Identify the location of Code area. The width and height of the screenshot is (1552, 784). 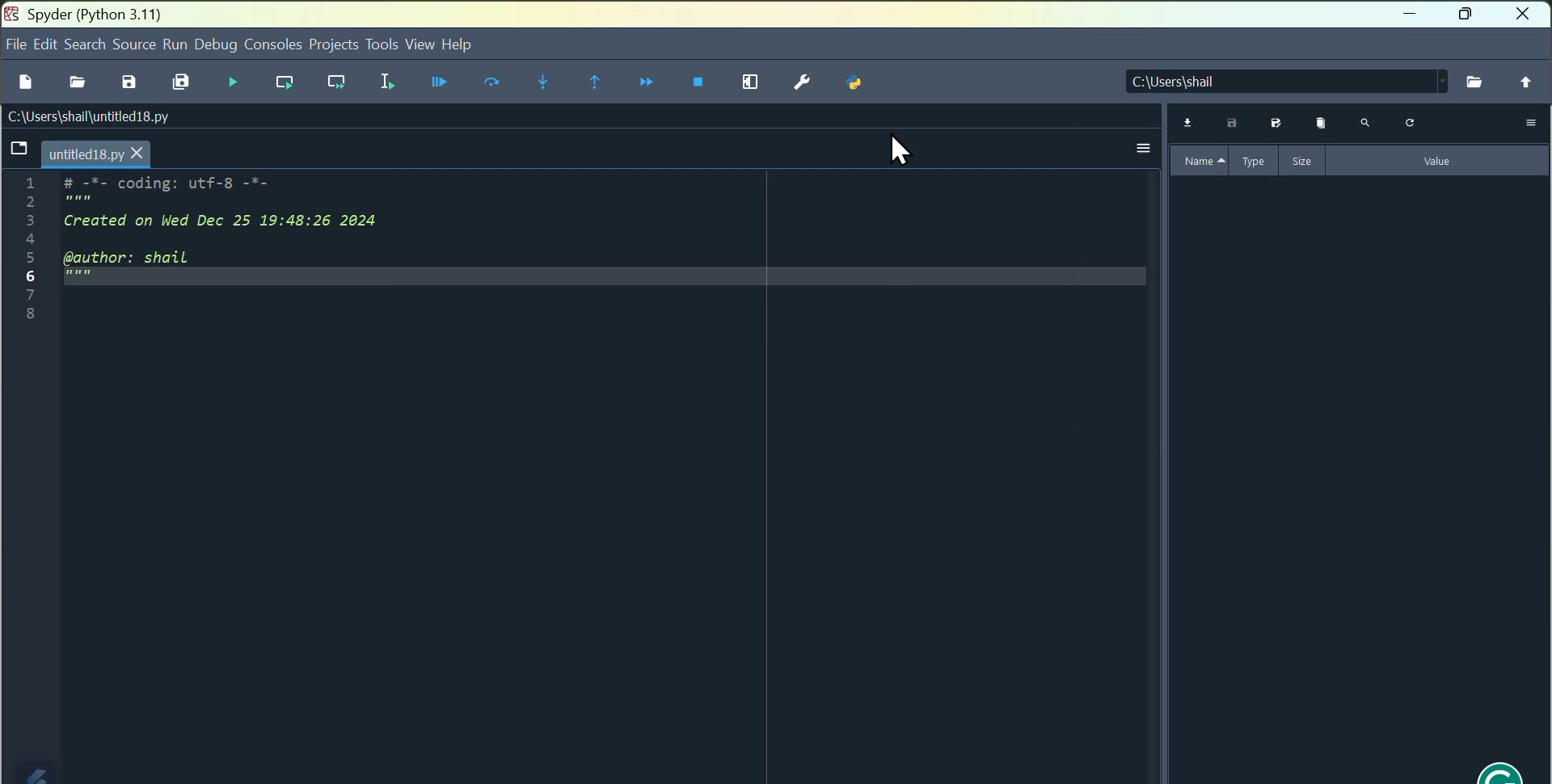
(407, 266).